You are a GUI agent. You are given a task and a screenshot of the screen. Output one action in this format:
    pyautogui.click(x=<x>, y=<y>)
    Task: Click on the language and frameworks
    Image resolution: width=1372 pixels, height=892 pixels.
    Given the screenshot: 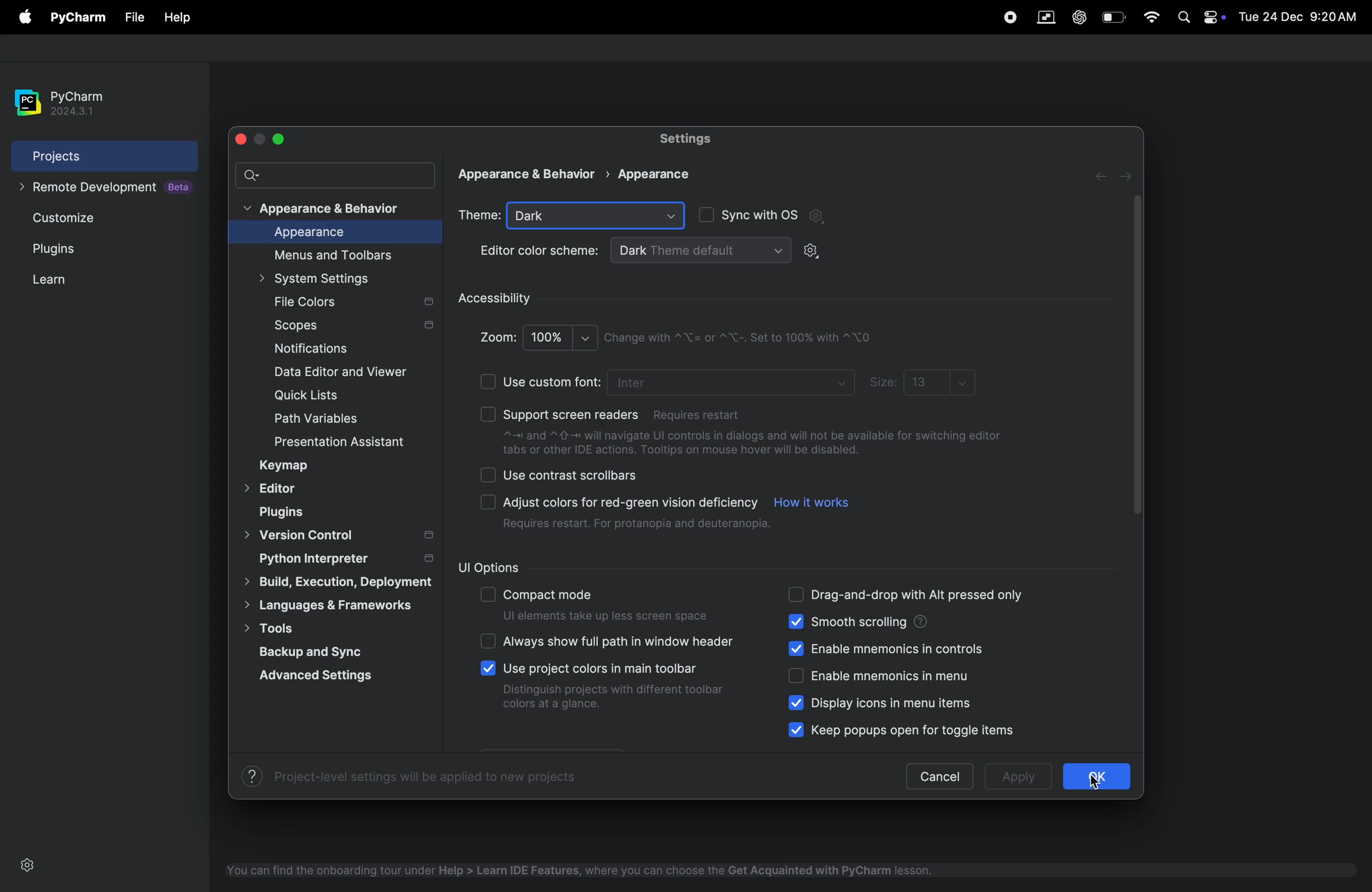 What is the action you would take?
    pyautogui.click(x=335, y=605)
    